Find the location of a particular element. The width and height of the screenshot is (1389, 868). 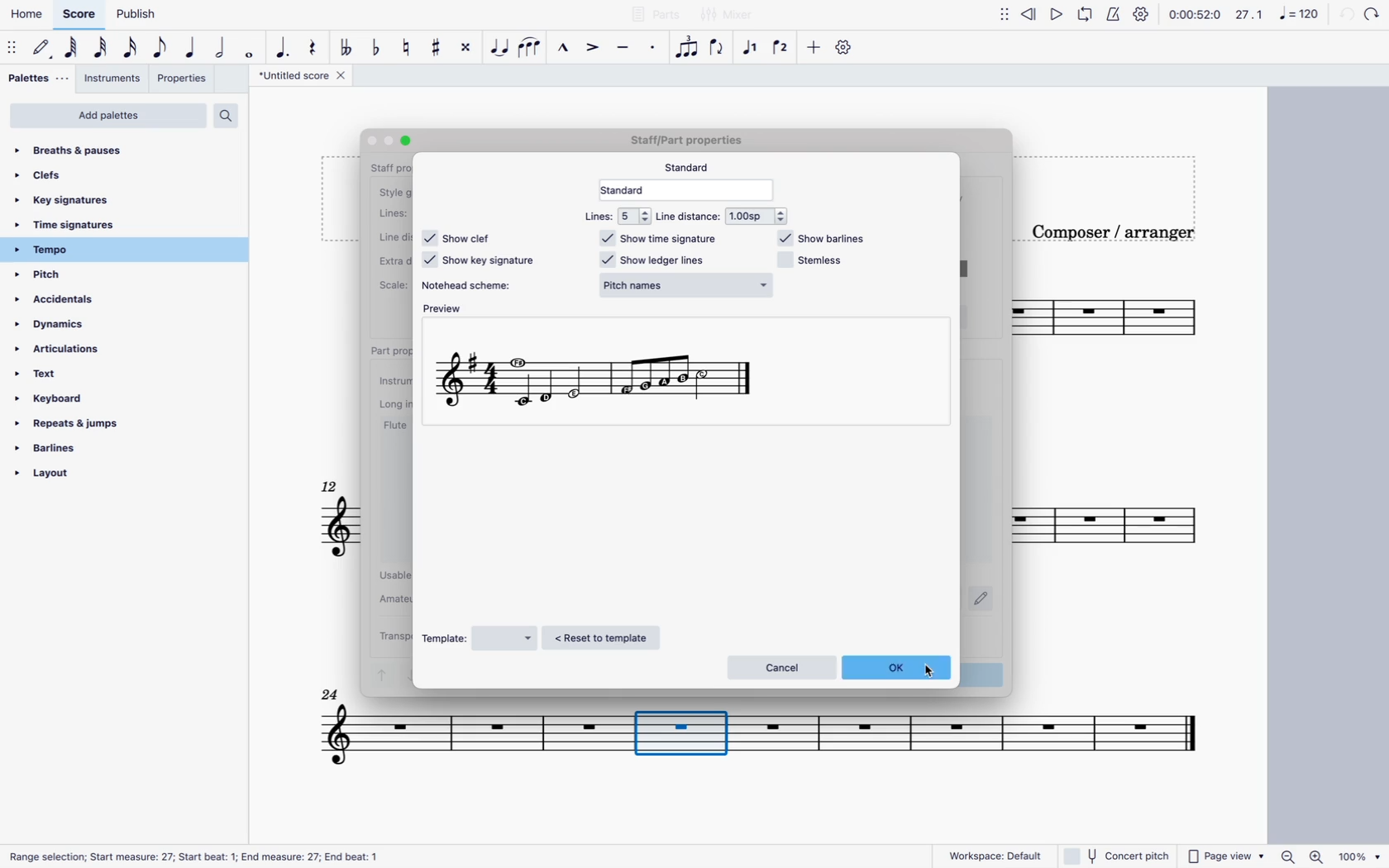

voice 1 is located at coordinates (752, 46).